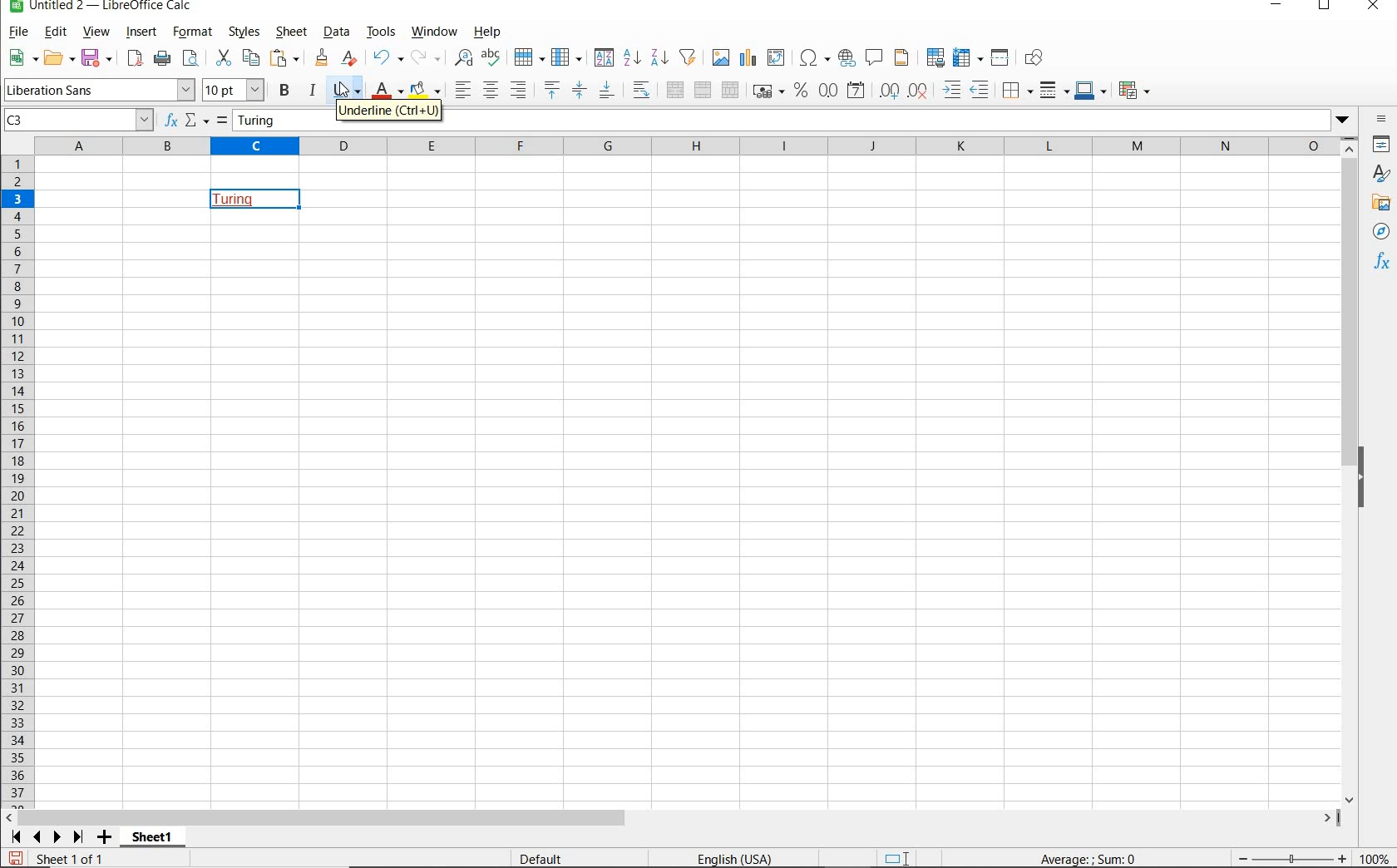 This screenshot has width=1397, height=868. What do you see at coordinates (143, 33) in the screenshot?
I see `INSERT` at bounding box center [143, 33].